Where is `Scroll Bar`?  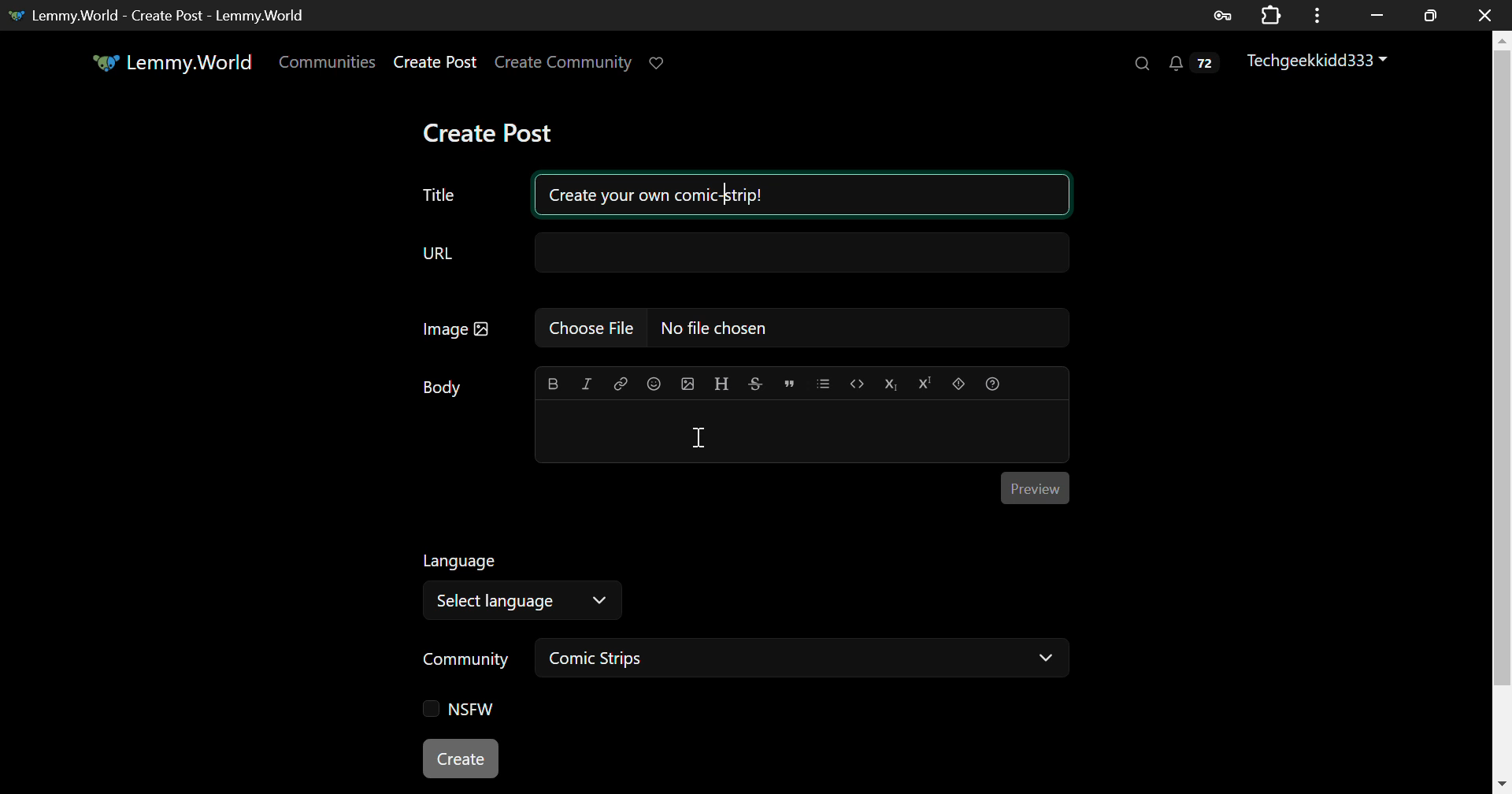
Scroll Bar is located at coordinates (1503, 409).